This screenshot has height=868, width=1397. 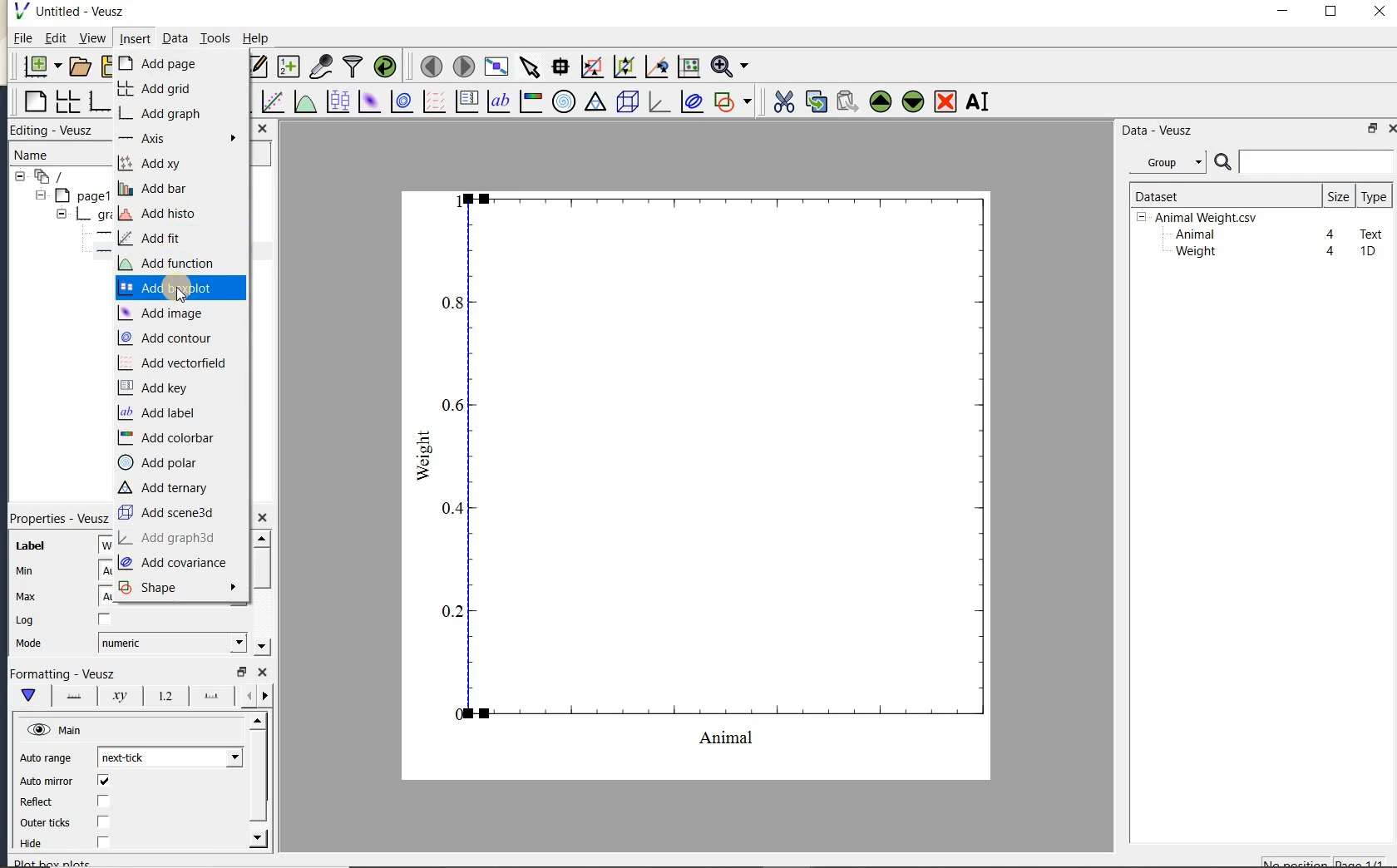 What do you see at coordinates (263, 673) in the screenshot?
I see `close` at bounding box center [263, 673].